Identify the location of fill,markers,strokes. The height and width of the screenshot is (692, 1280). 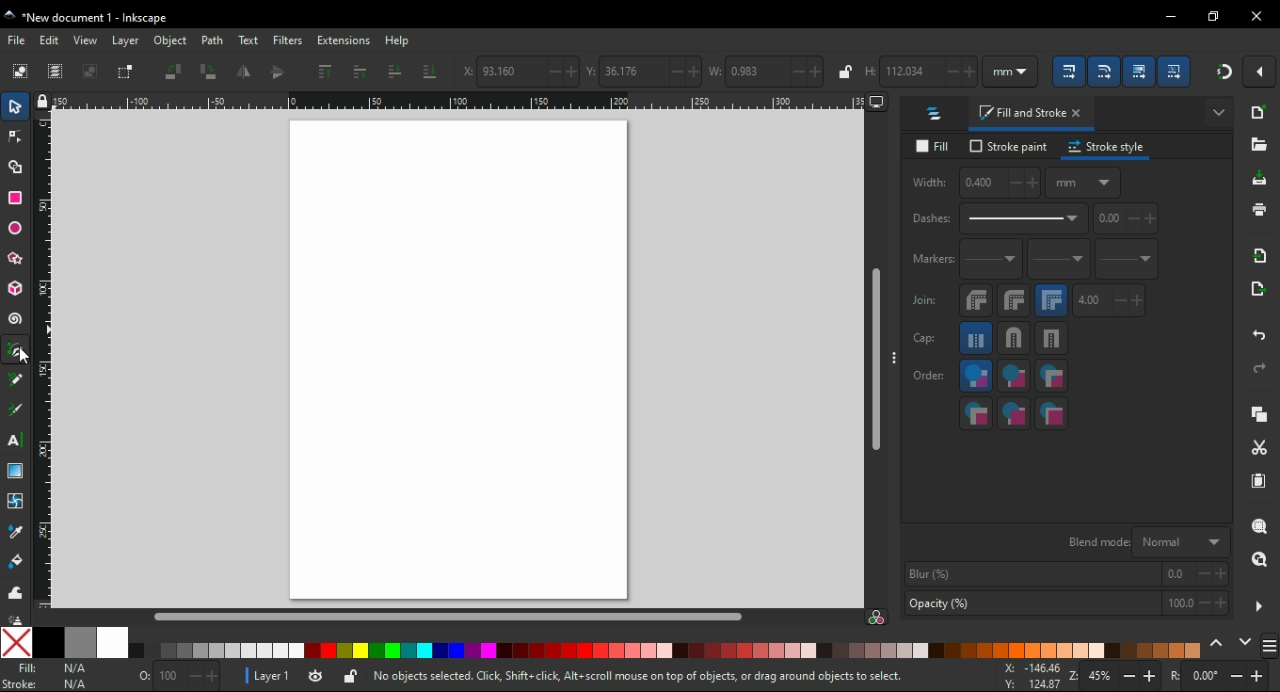
(1051, 376).